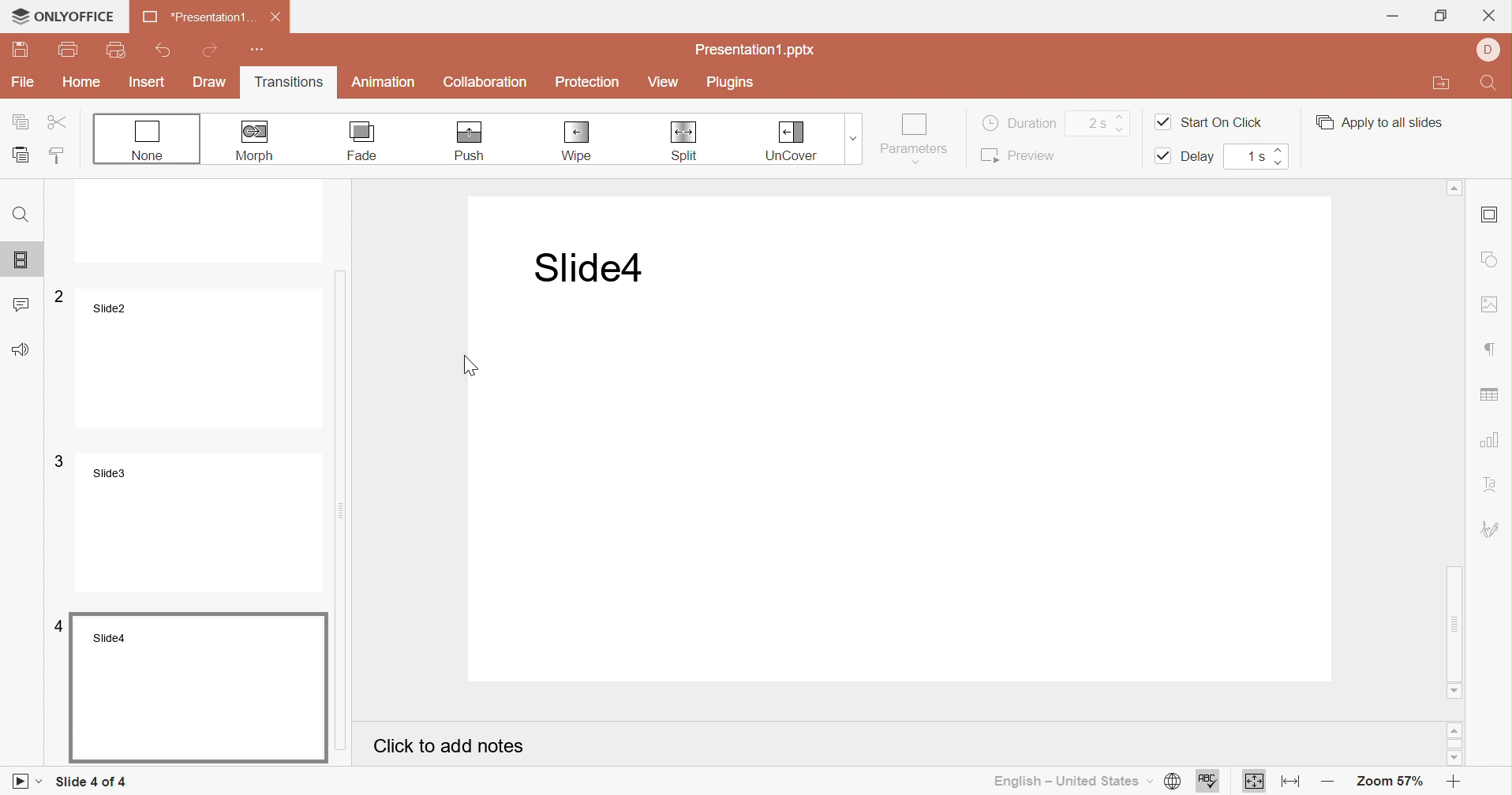 This screenshot has width=1512, height=795. I want to click on Close, so click(275, 17).